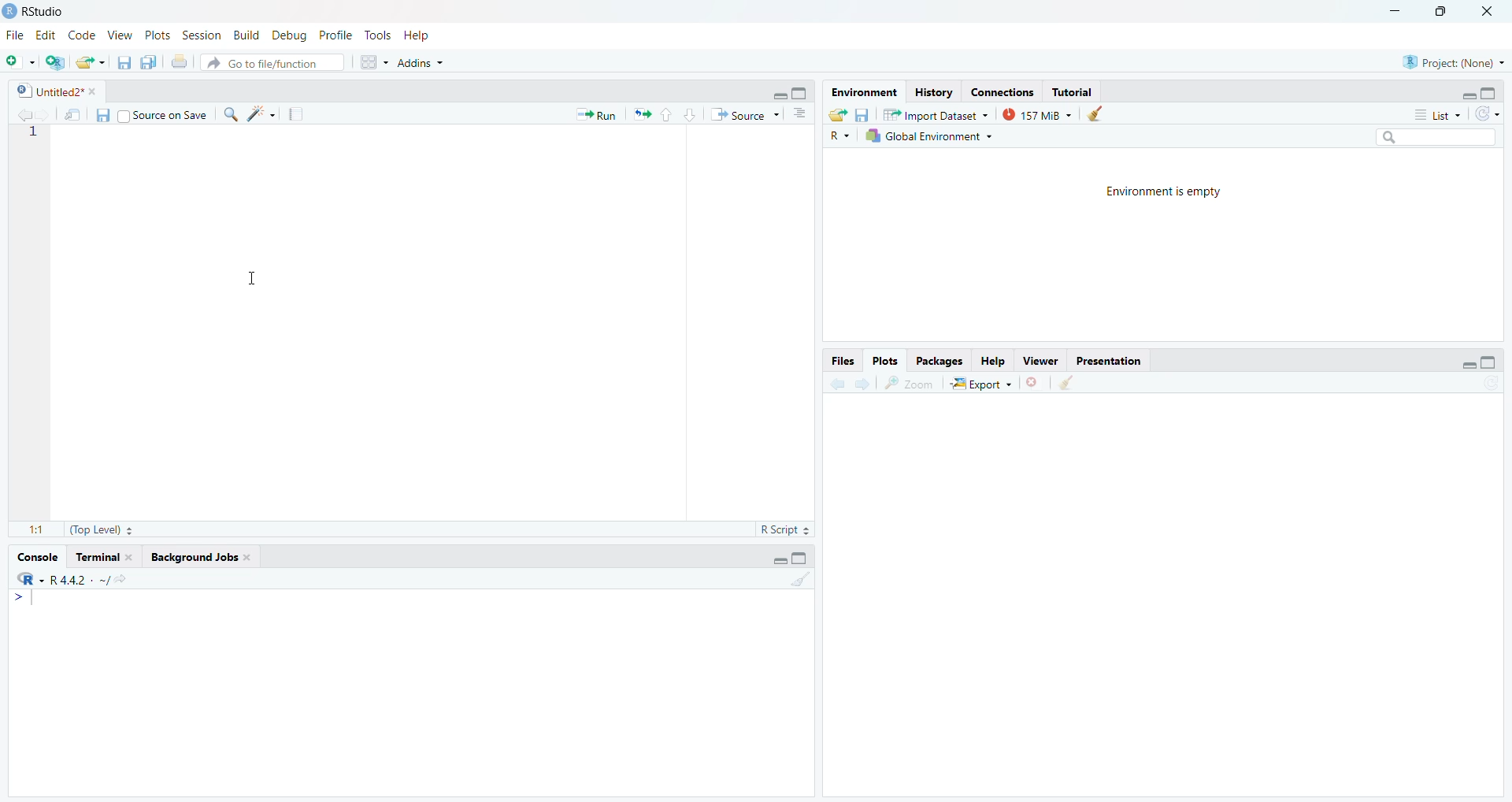 This screenshot has height=802, width=1512. Describe the element at coordinates (37, 597) in the screenshot. I see `text cursor` at that location.